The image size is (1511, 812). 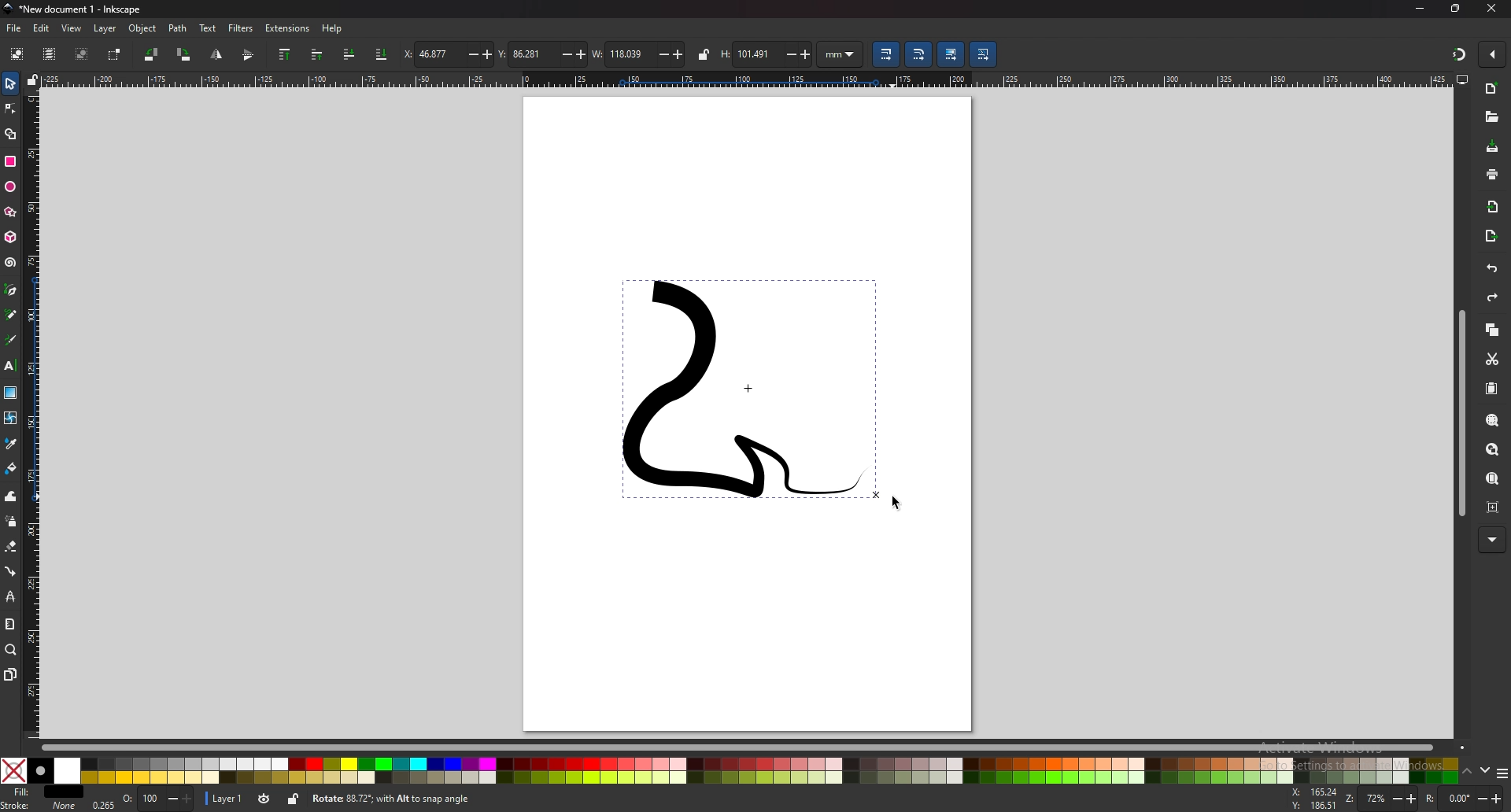 I want to click on info, so click(x=543, y=799).